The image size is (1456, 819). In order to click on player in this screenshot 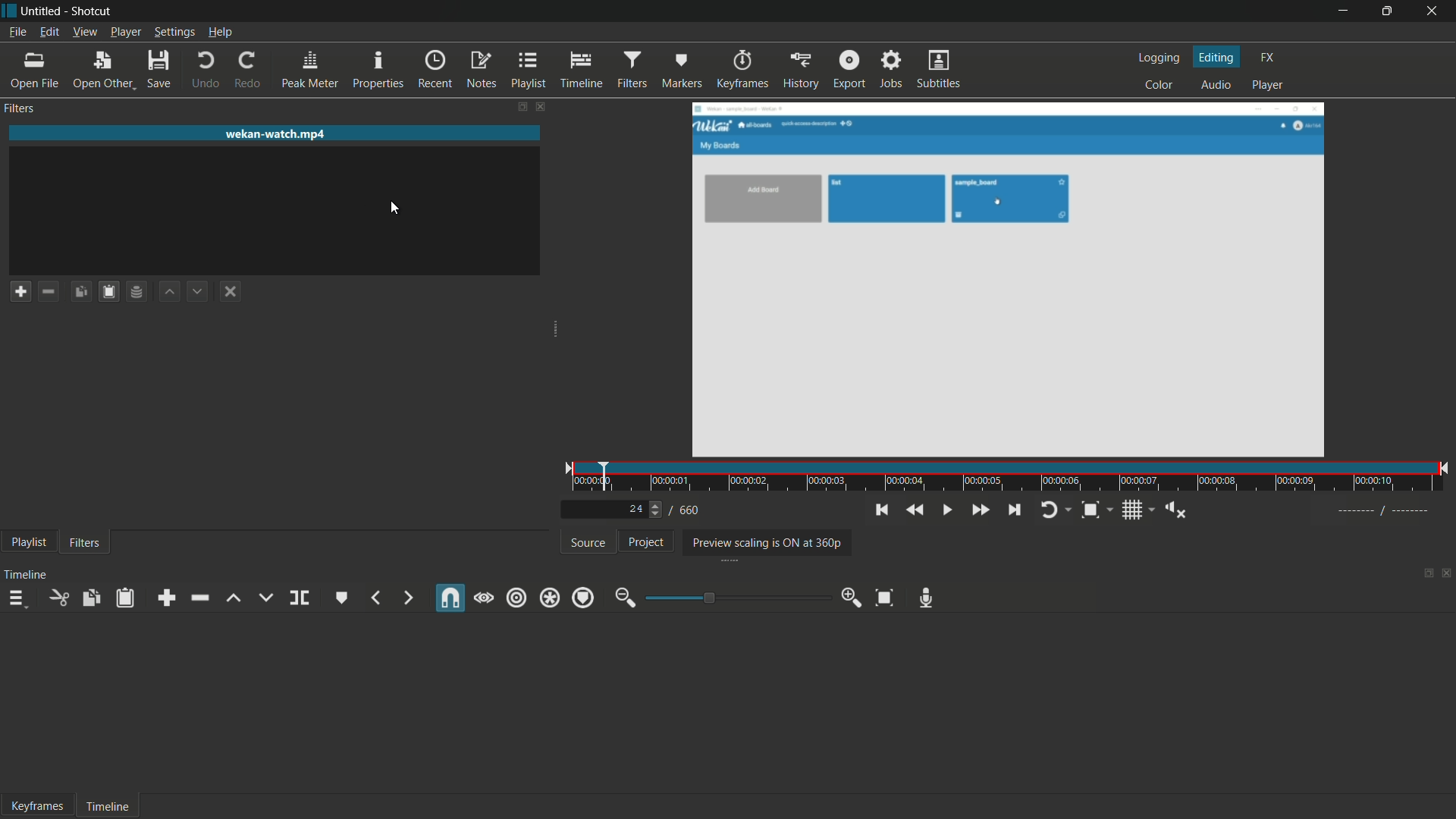, I will do `click(1267, 86)`.